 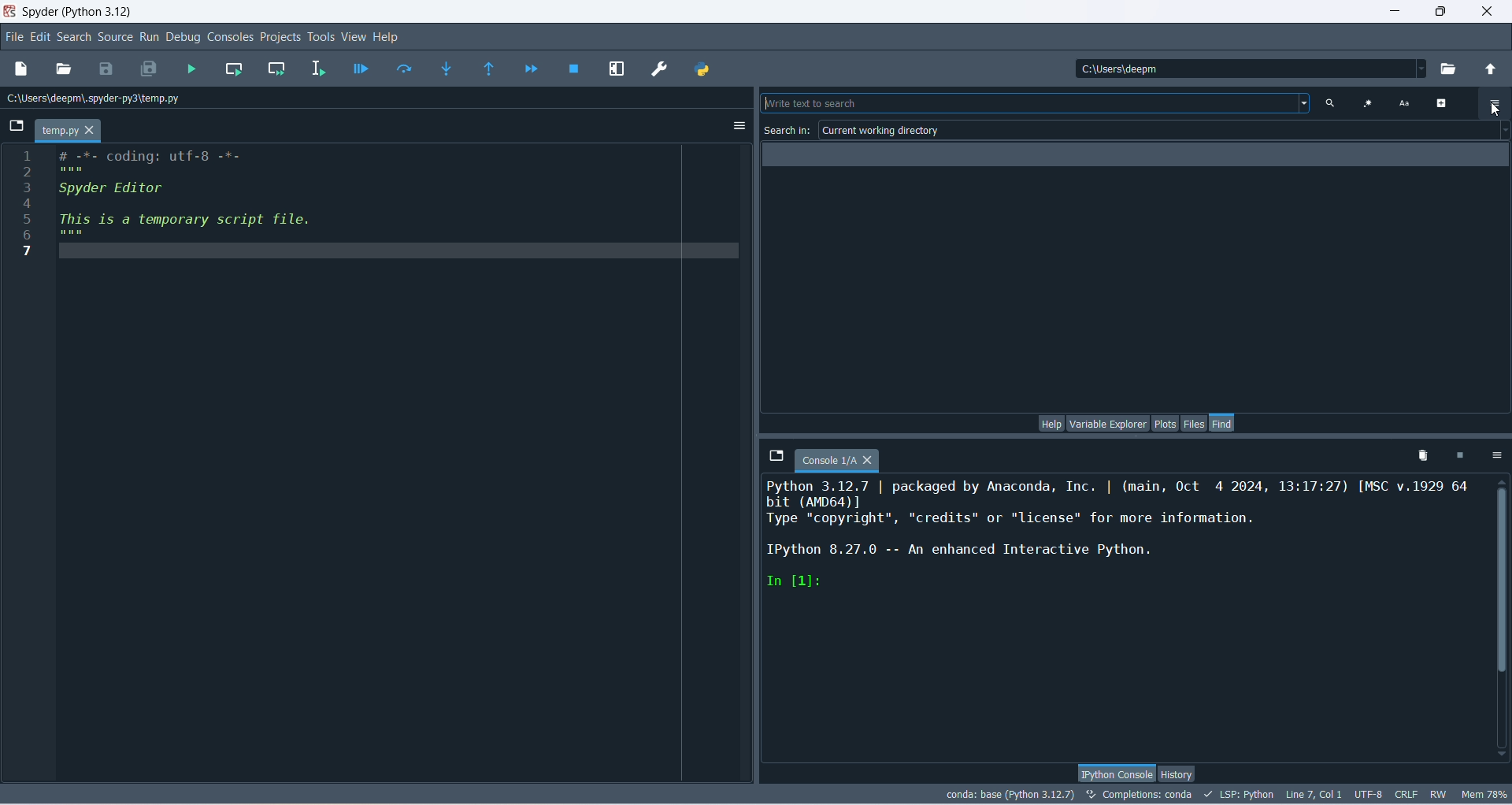 I want to click on line number, so click(x=27, y=202).